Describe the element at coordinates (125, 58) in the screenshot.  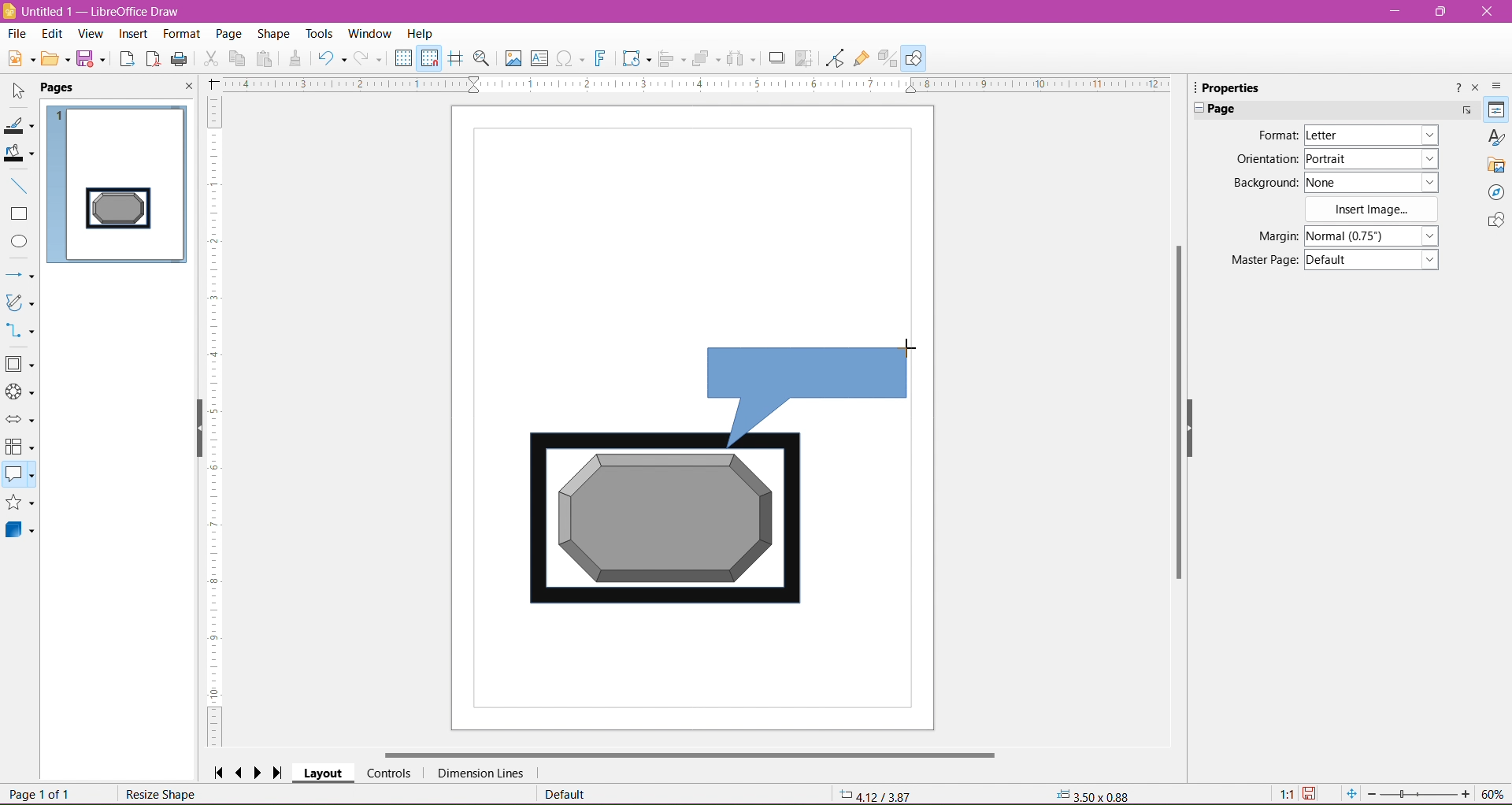
I see `Export` at that location.